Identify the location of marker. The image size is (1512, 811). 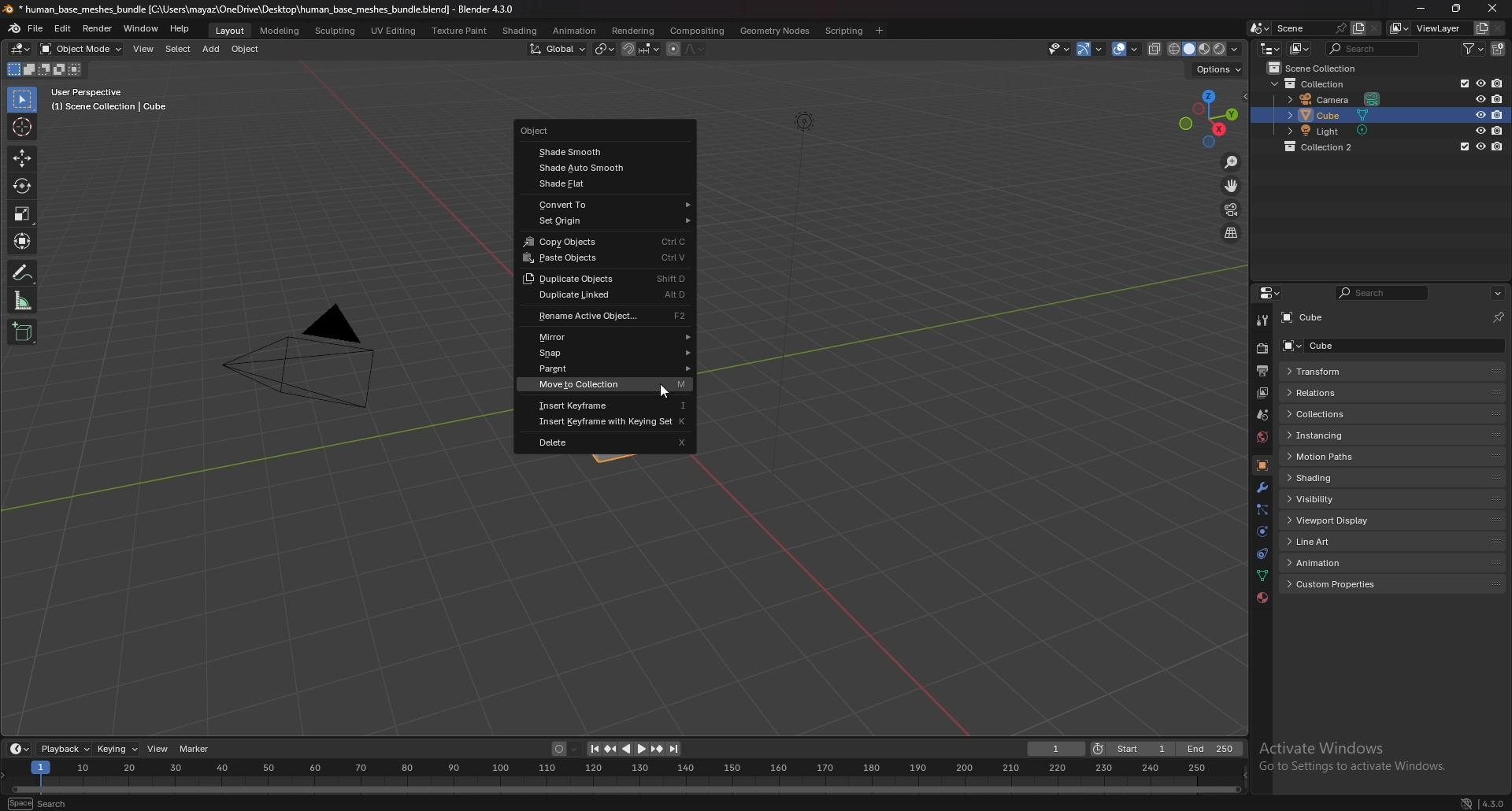
(196, 749).